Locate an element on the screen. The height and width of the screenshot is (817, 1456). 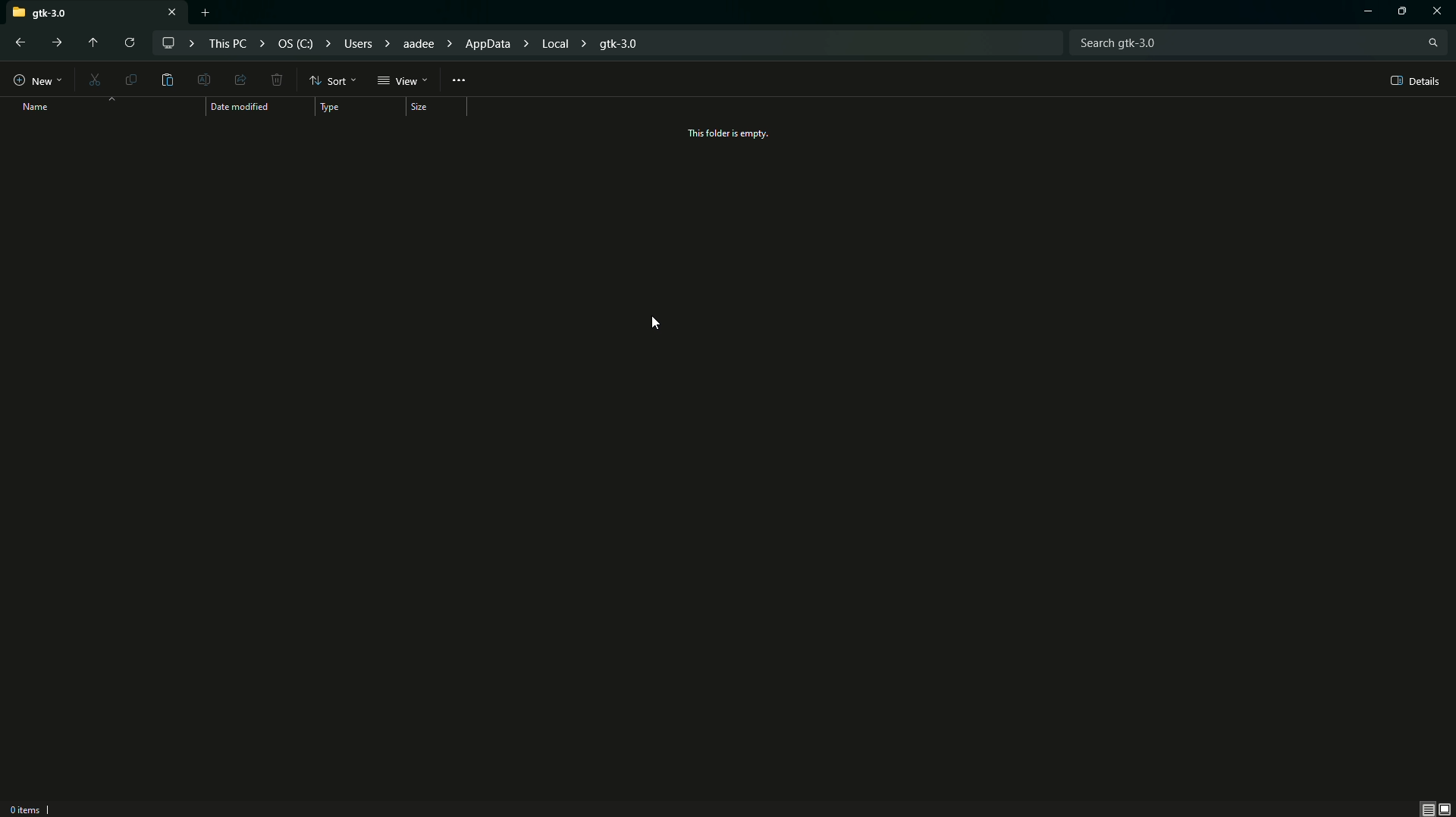
Reload is located at coordinates (127, 43).